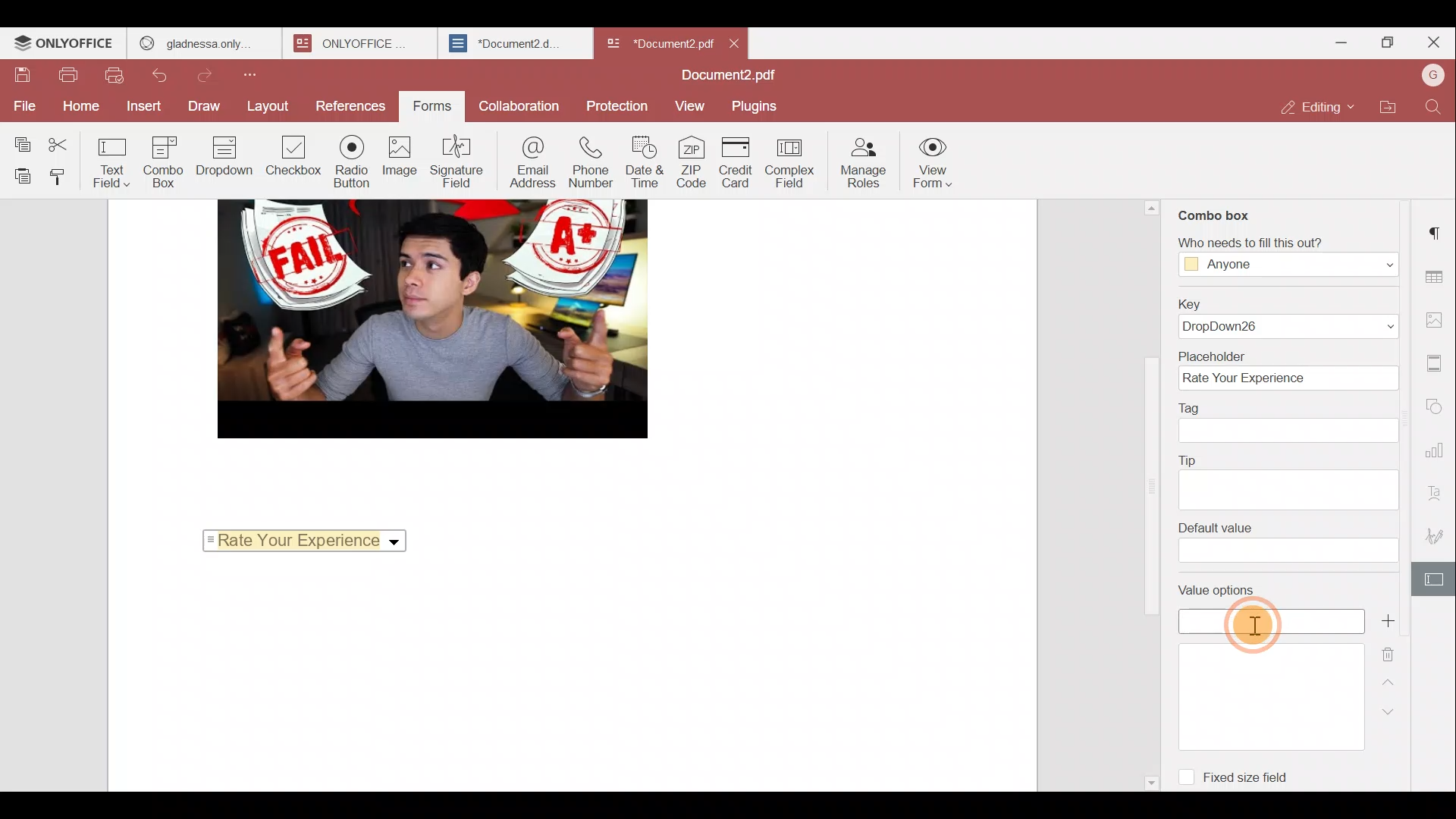  What do you see at coordinates (1395, 718) in the screenshot?
I see `Down` at bounding box center [1395, 718].